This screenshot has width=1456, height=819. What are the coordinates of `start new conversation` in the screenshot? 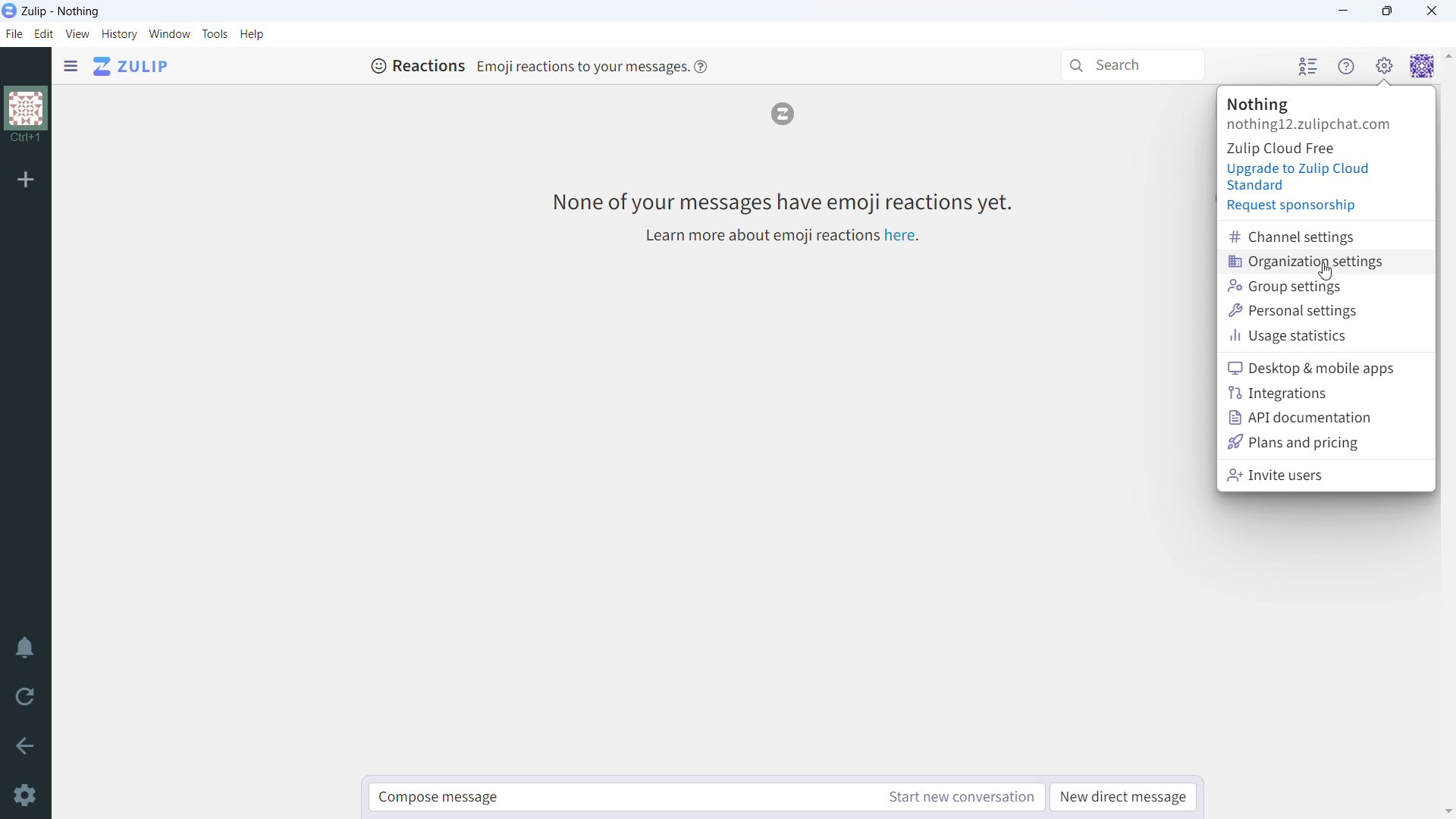 It's located at (960, 797).